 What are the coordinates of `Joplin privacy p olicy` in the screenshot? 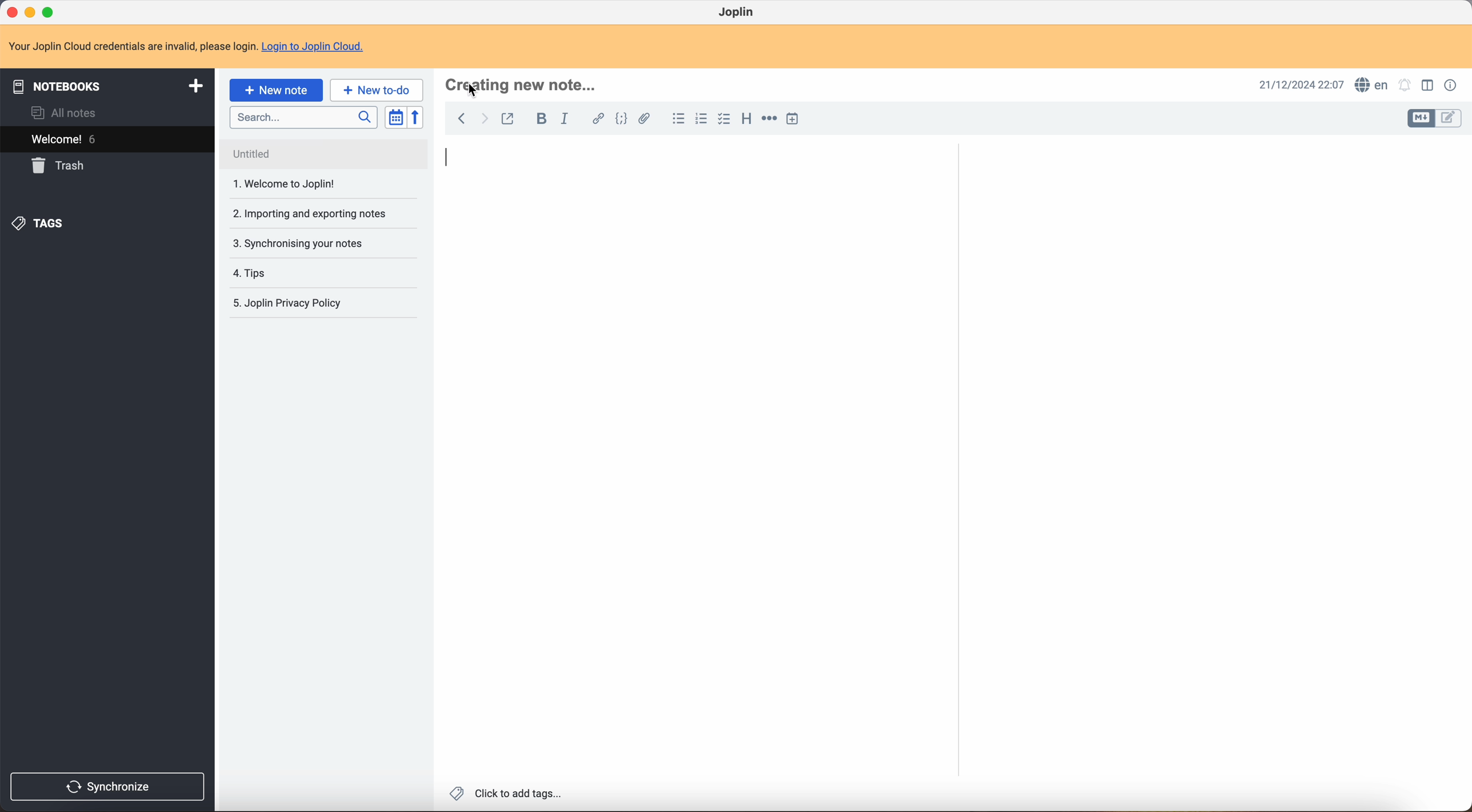 It's located at (286, 303).